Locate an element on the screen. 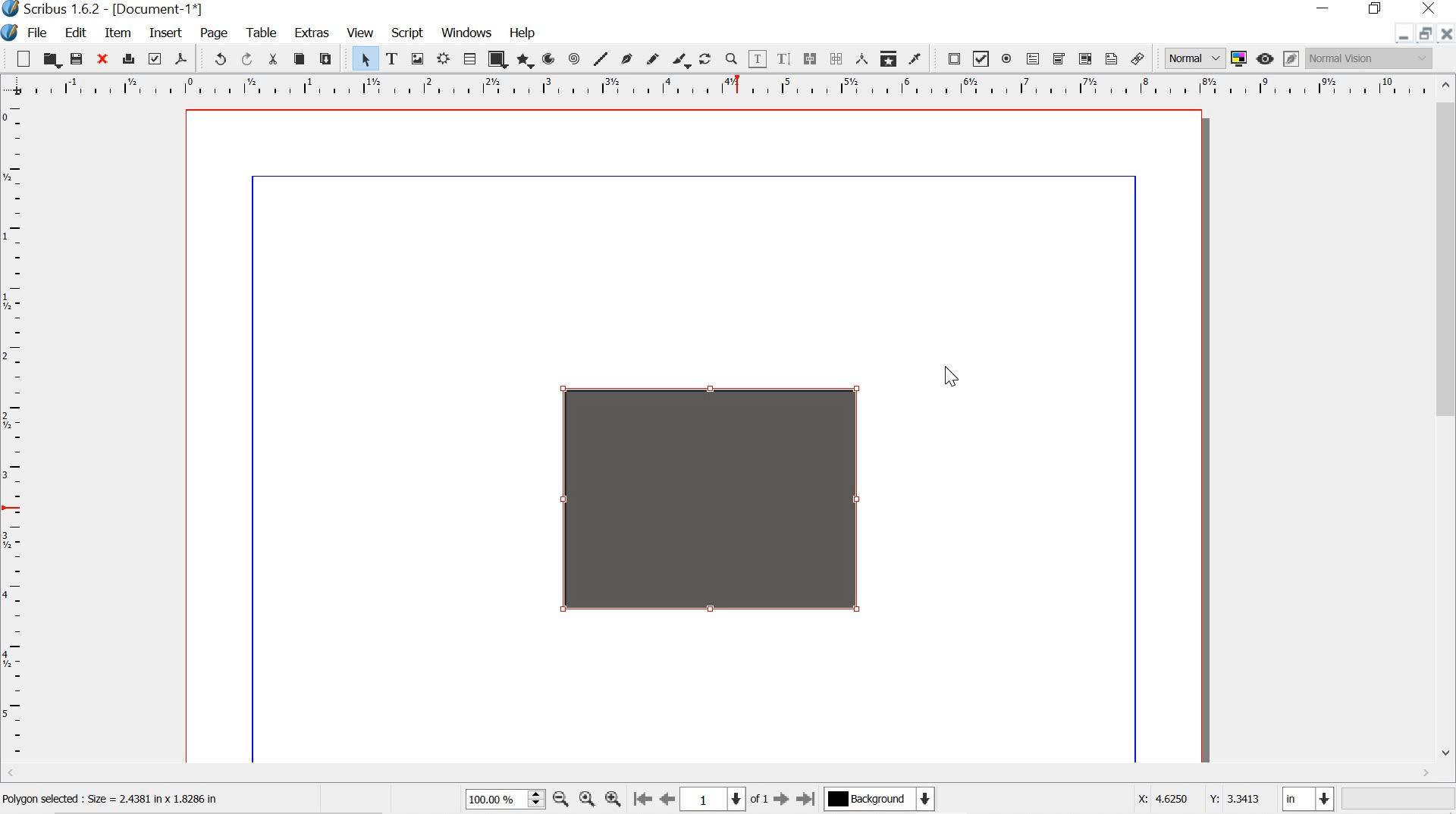  restore down is located at coordinates (1423, 33).